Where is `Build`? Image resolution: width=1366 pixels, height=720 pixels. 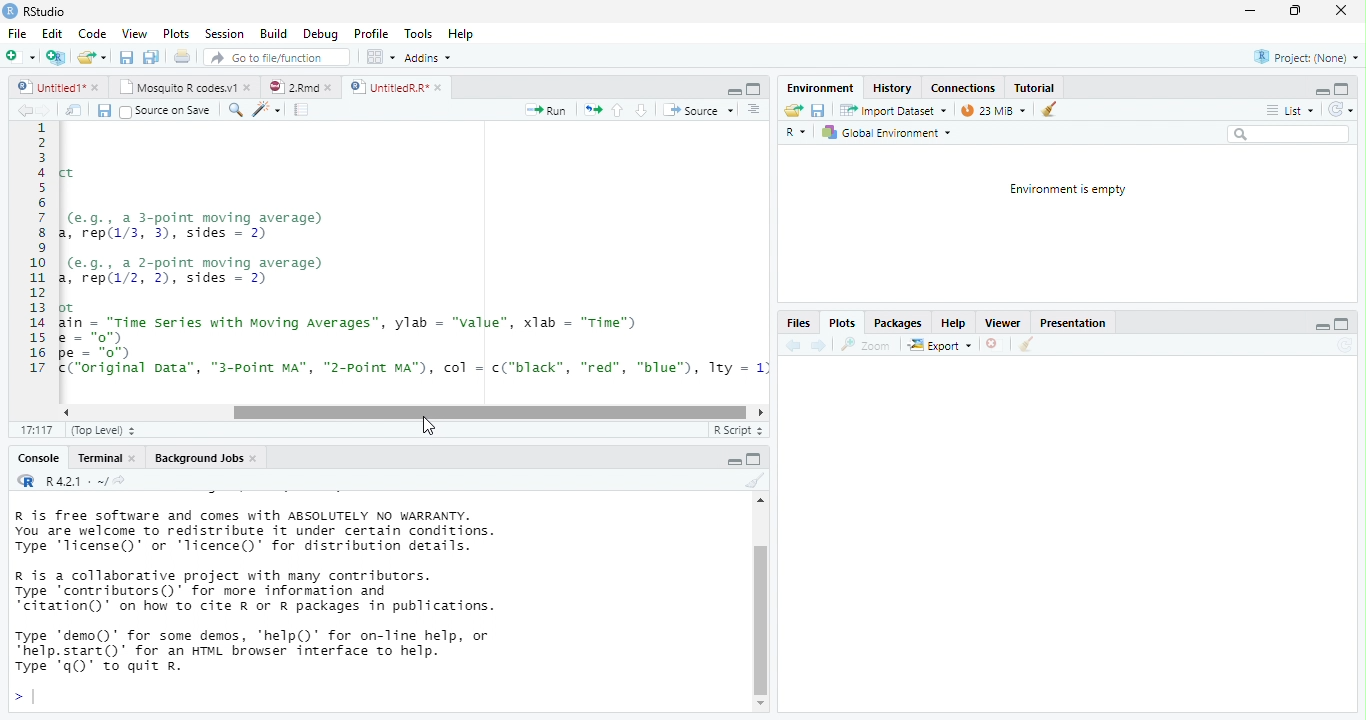
Build is located at coordinates (273, 34).